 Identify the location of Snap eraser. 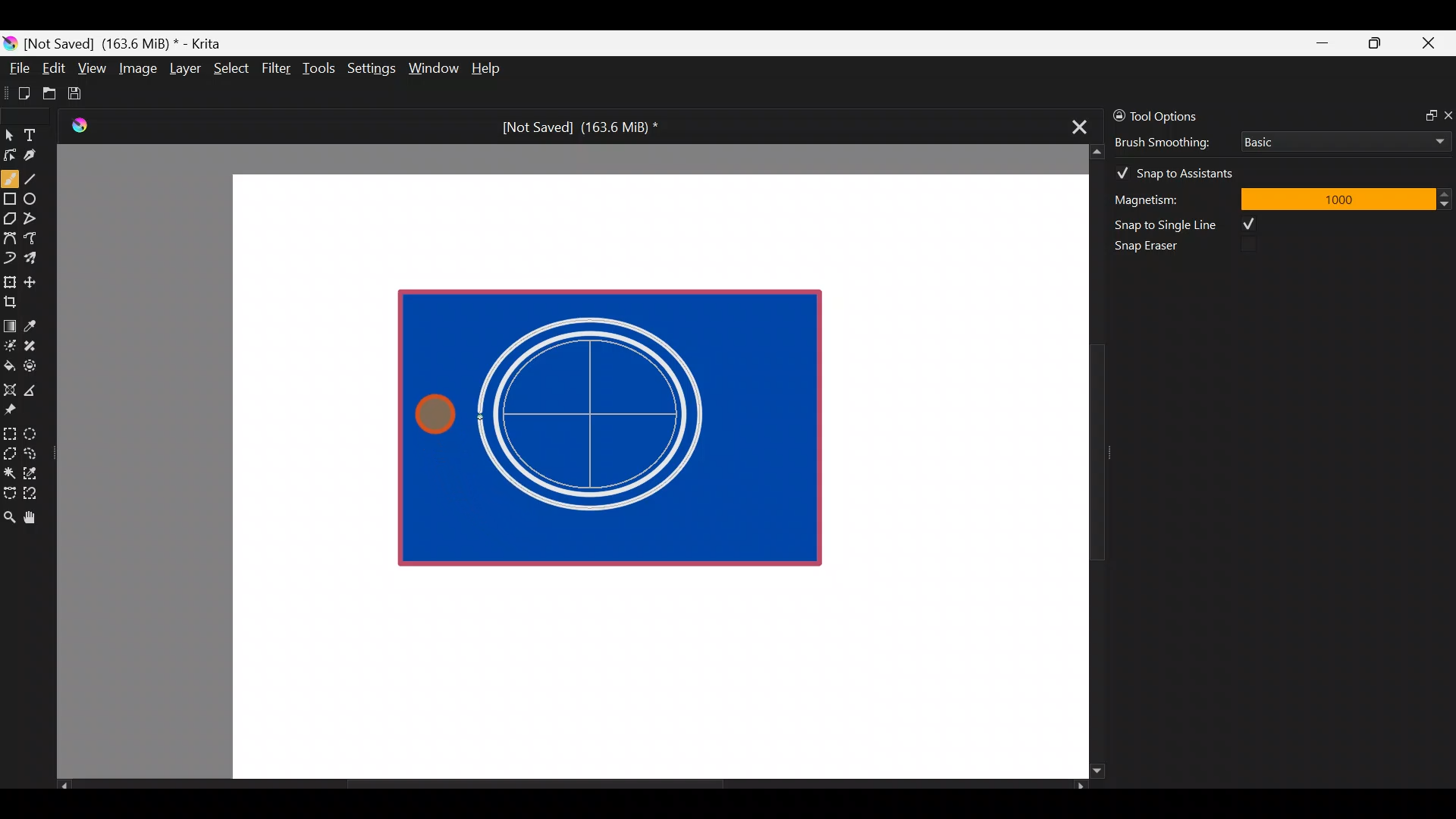
(1156, 249).